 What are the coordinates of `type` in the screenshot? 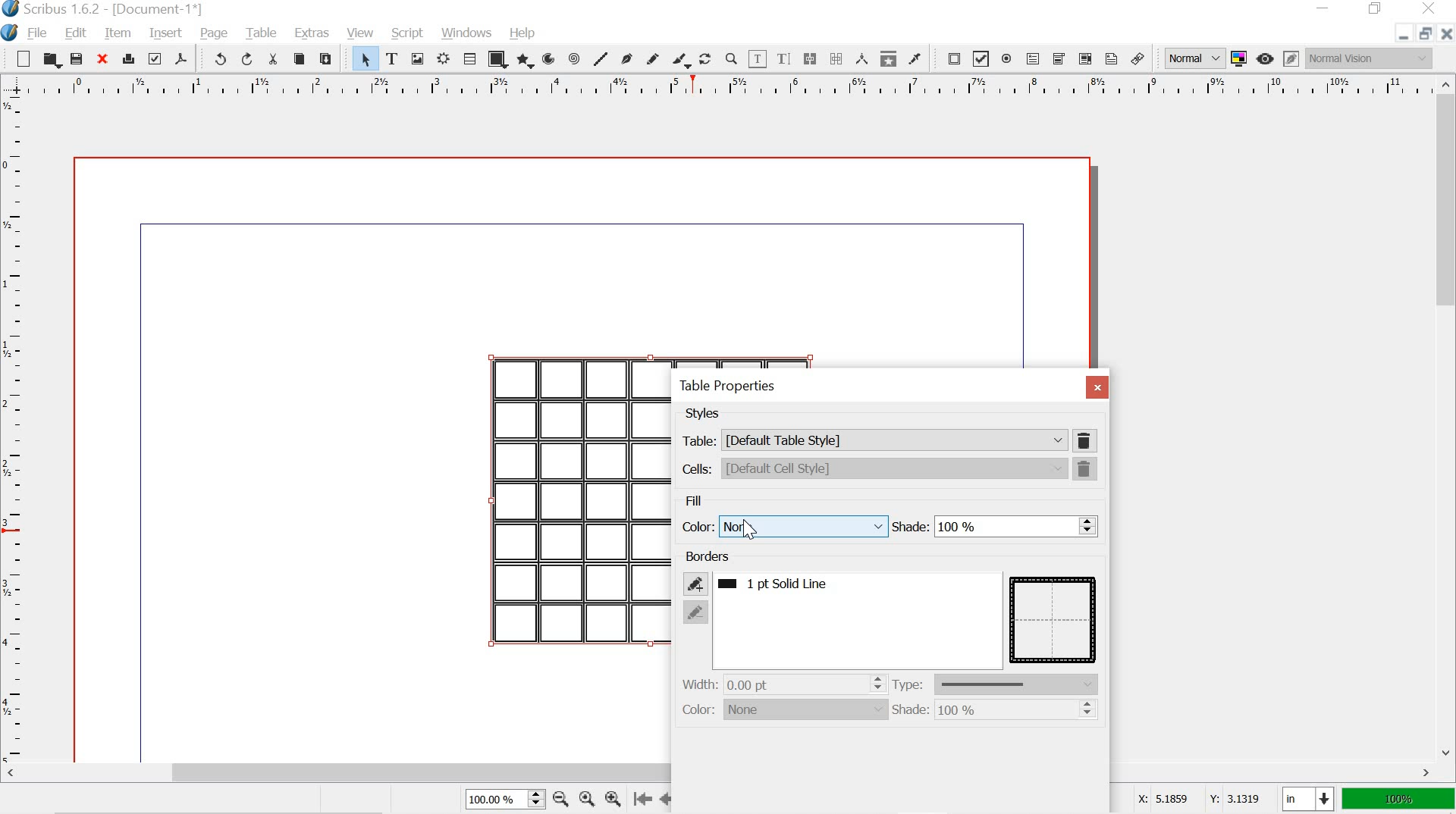 It's located at (999, 684).